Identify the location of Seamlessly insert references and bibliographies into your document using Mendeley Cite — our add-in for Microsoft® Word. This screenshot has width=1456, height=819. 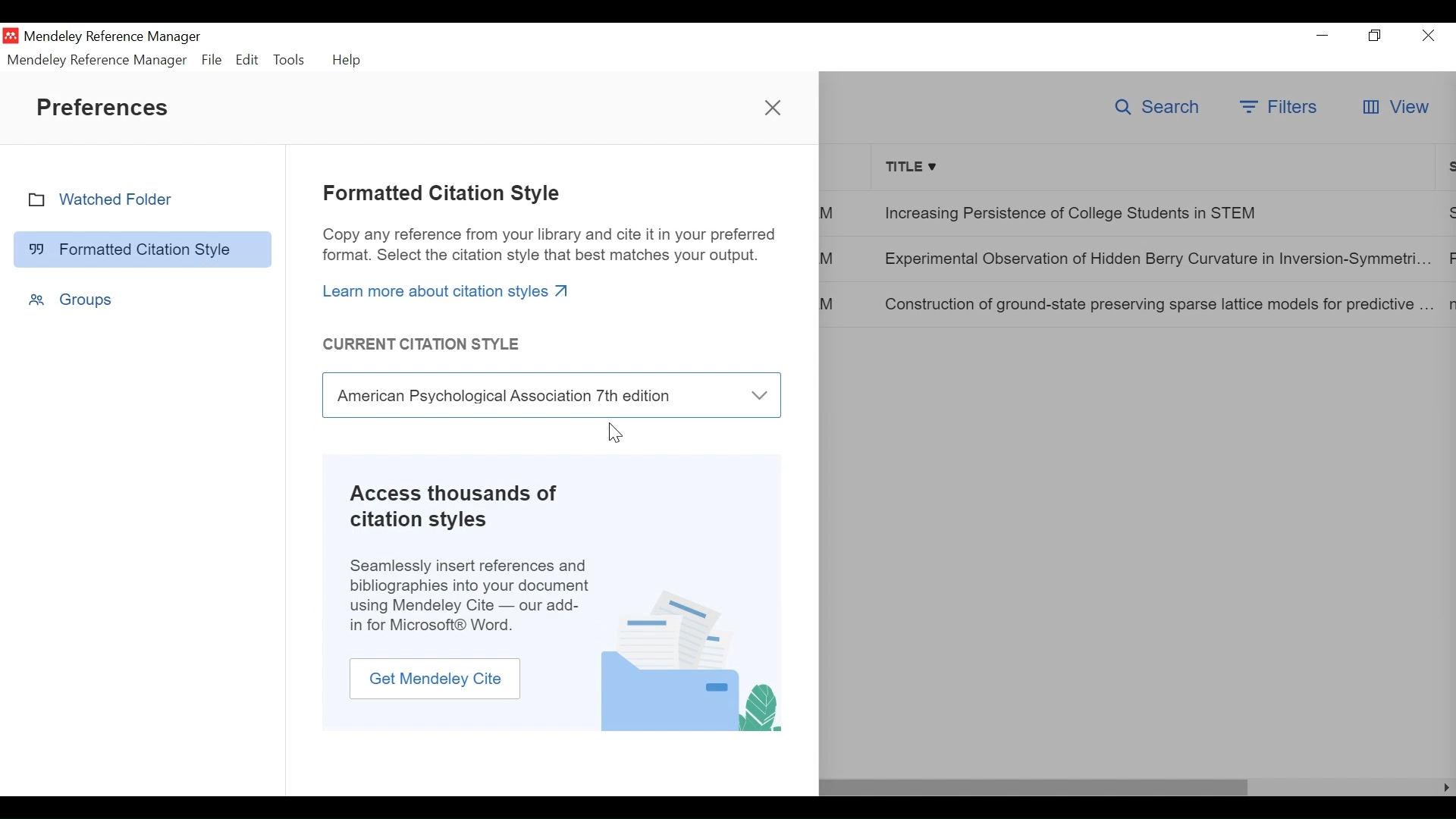
(471, 596).